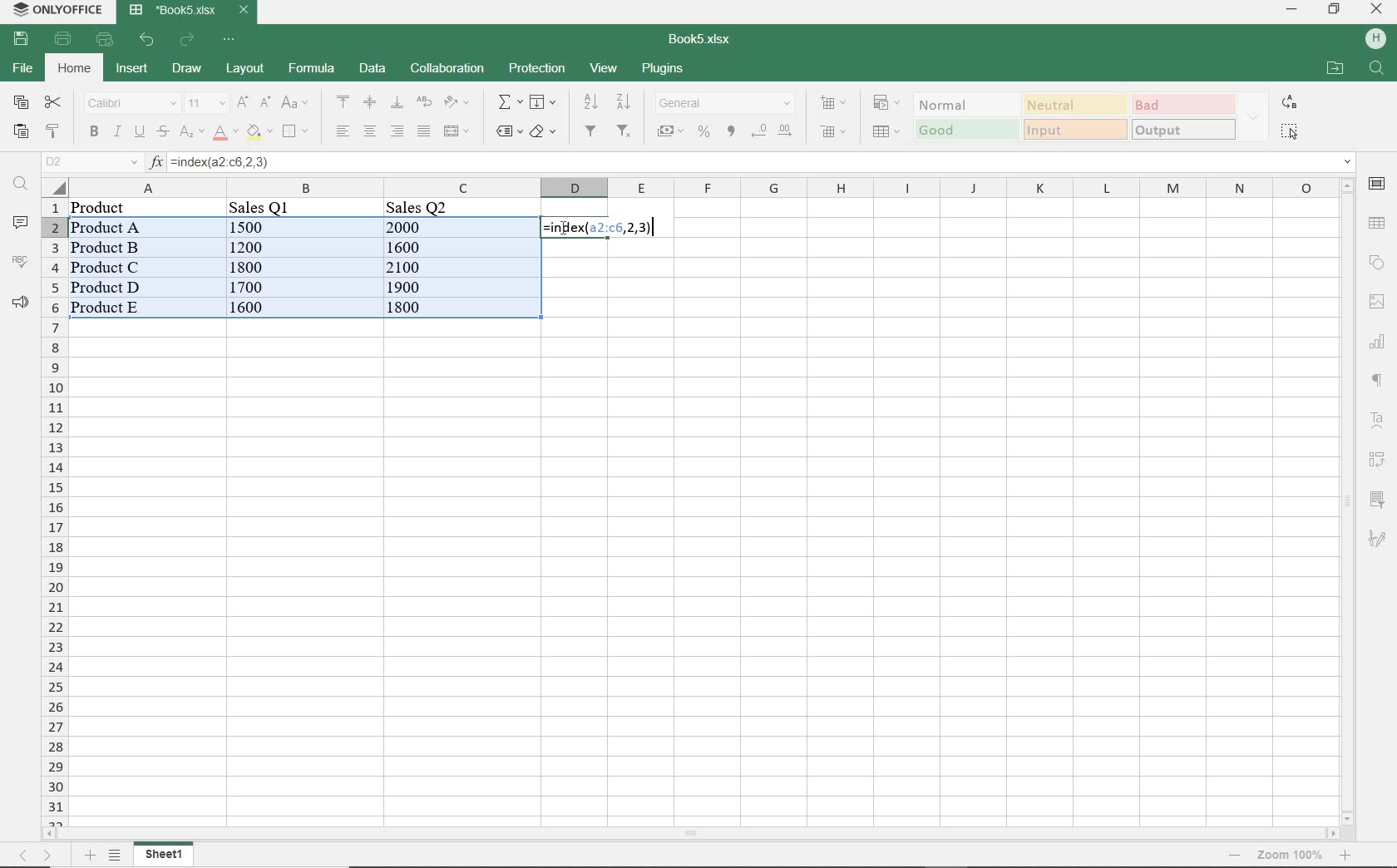  I want to click on named ranges, so click(507, 131).